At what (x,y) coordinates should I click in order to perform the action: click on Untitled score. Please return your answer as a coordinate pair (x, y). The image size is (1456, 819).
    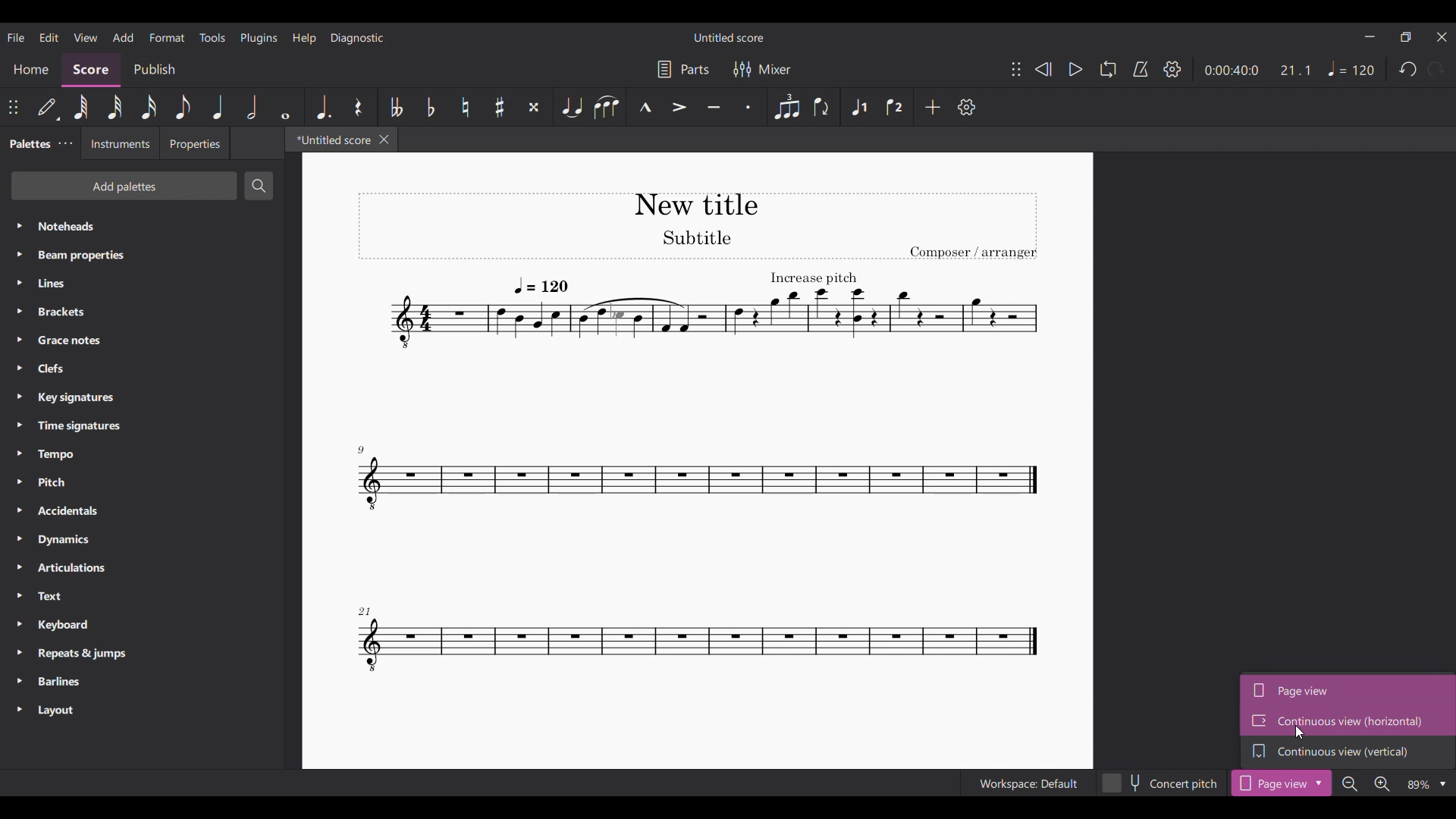
    Looking at the image, I should click on (728, 37).